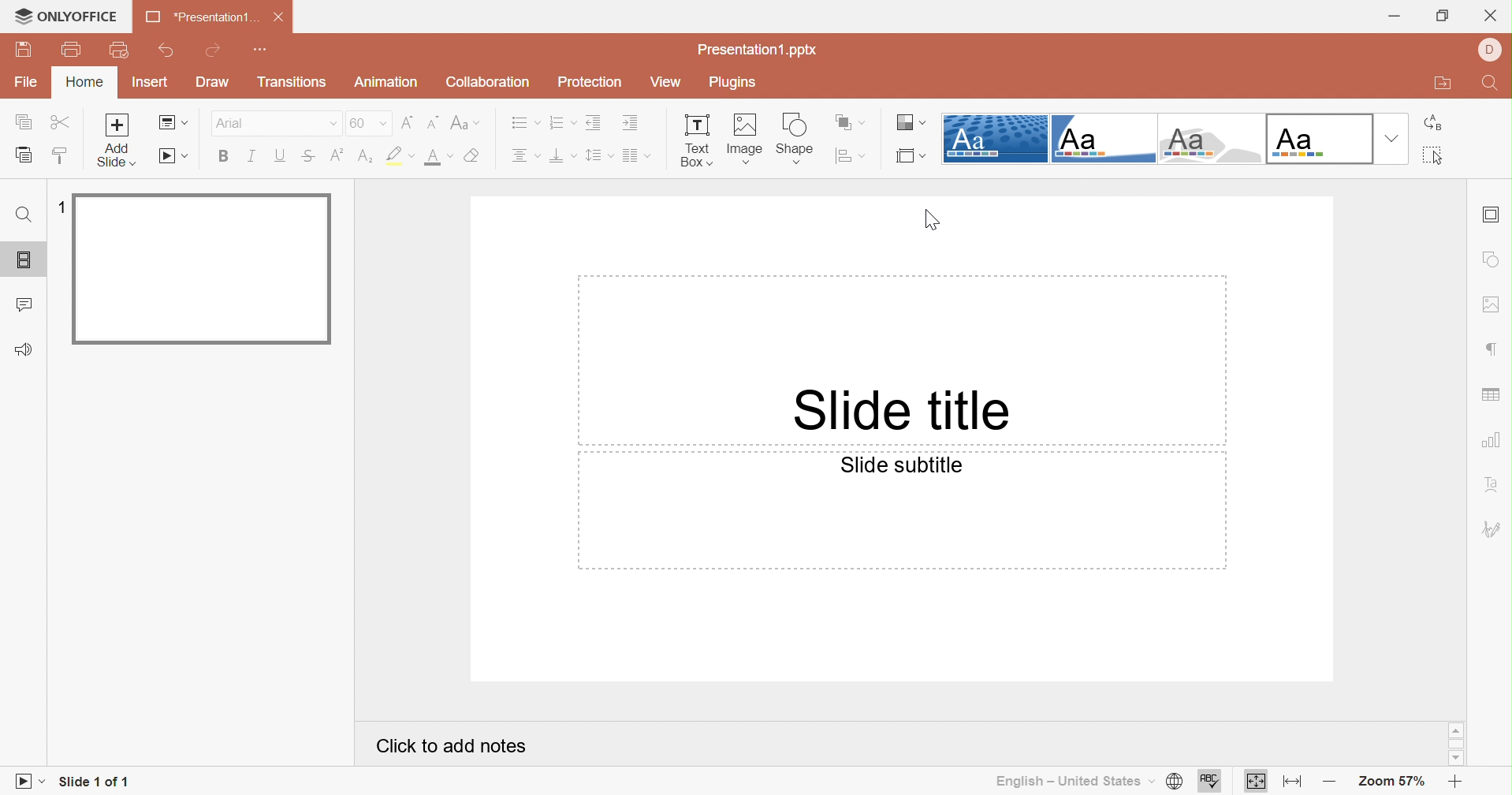 Image resolution: width=1512 pixels, height=795 pixels. What do you see at coordinates (1397, 17) in the screenshot?
I see `Minimize` at bounding box center [1397, 17].